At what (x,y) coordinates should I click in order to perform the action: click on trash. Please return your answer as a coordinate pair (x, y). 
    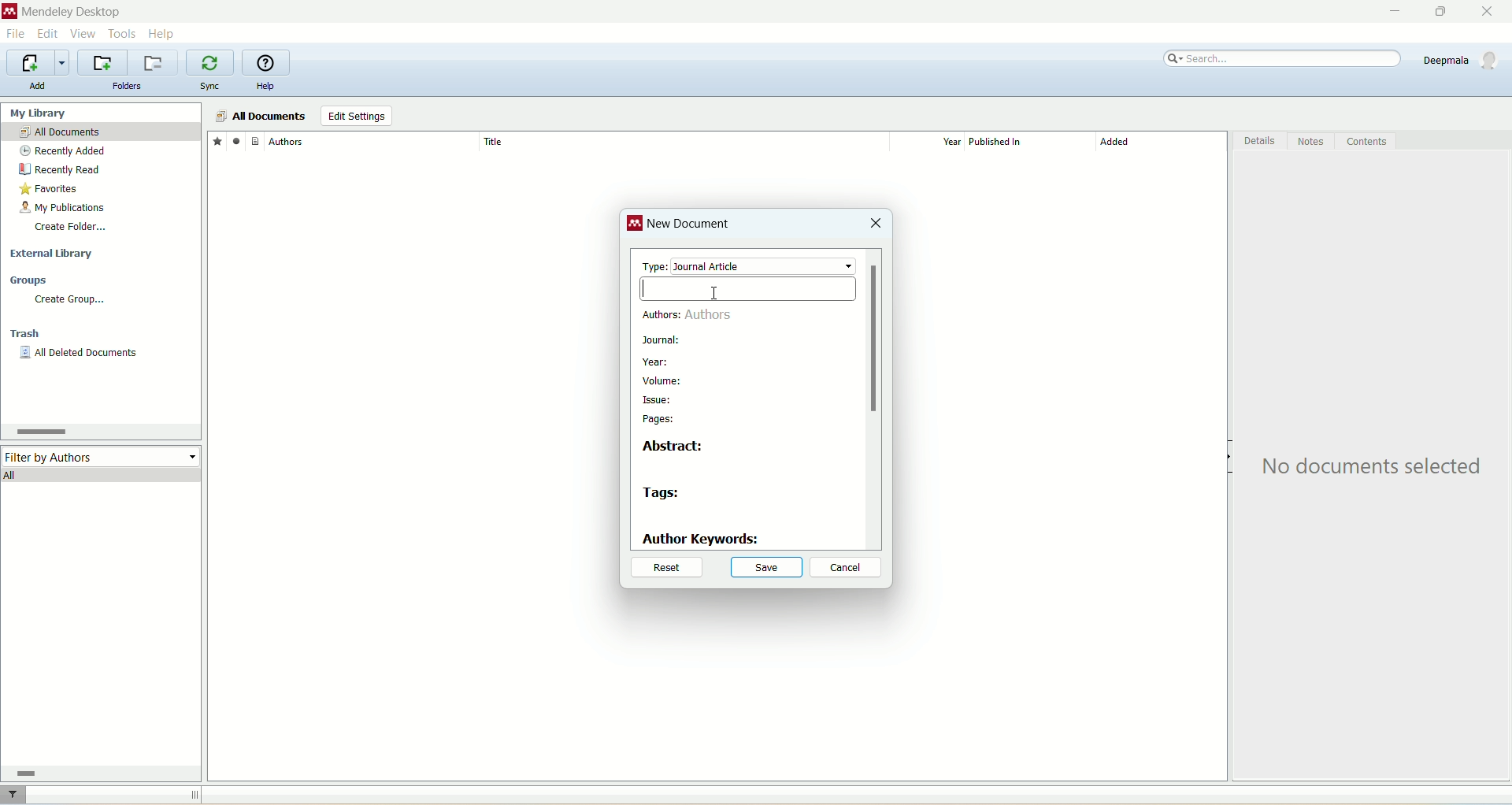
    Looking at the image, I should click on (28, 336).